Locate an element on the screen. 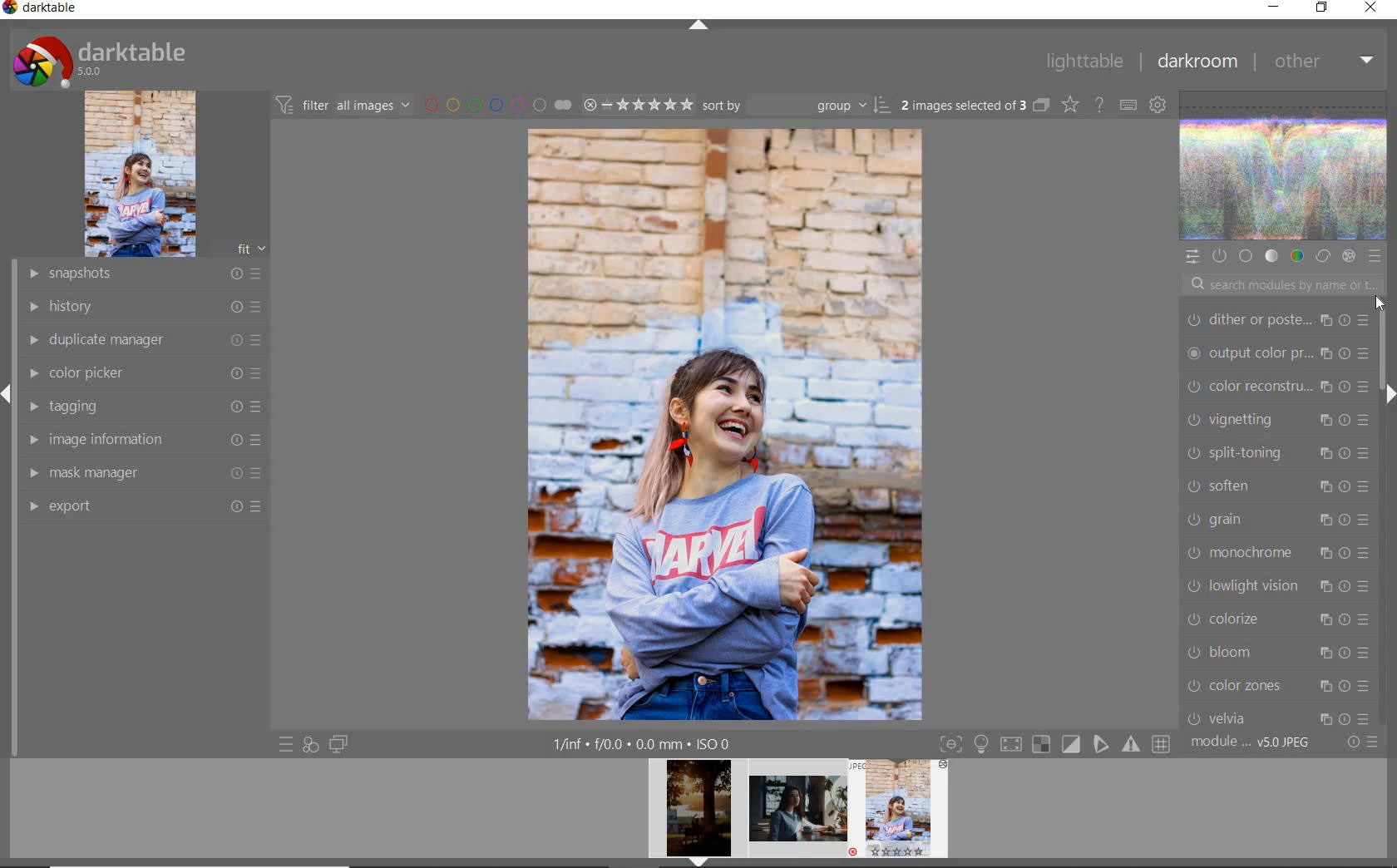  effect is located at coordinates (1348, 256).